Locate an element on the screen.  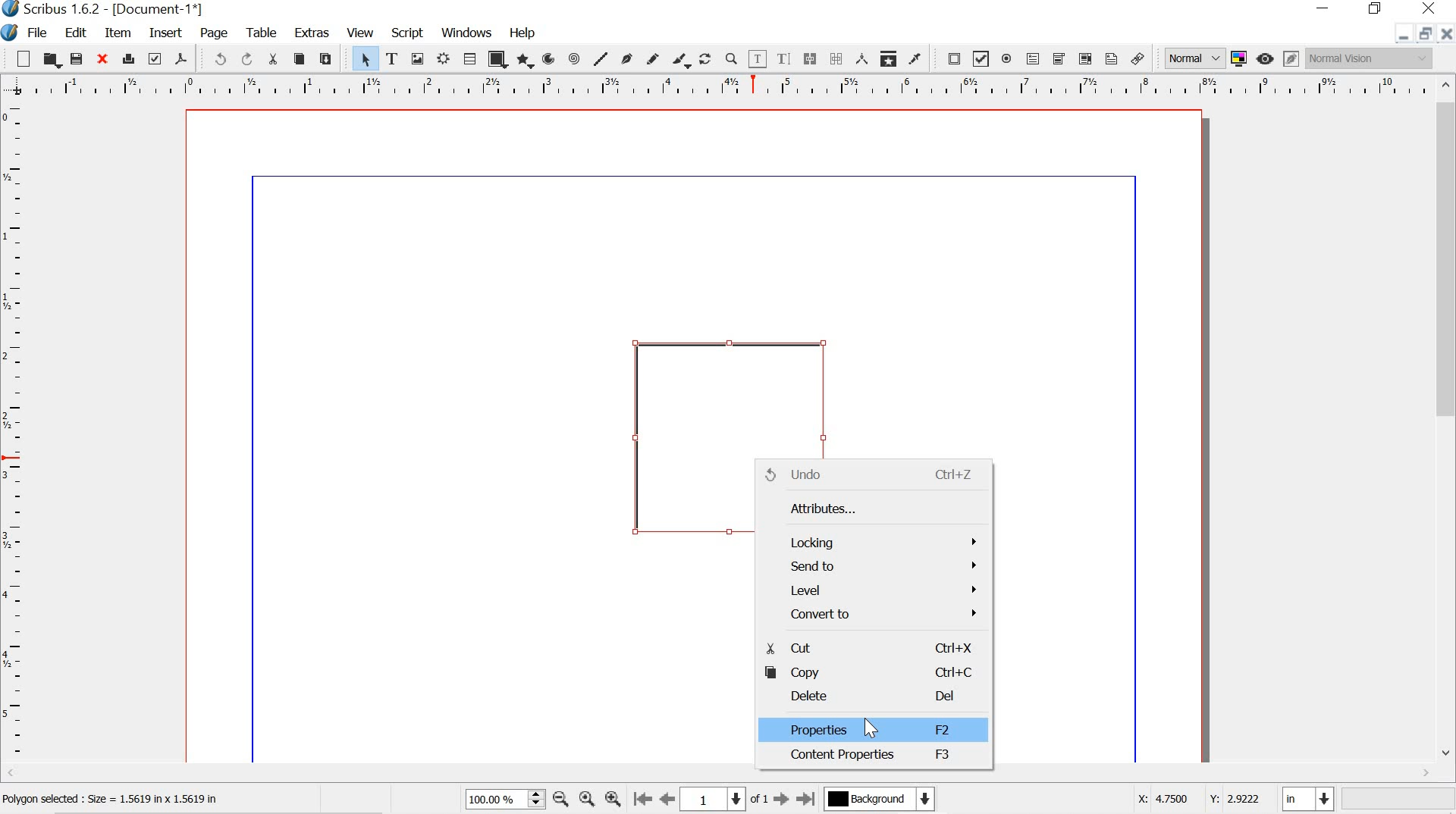
item is located at coordinates (118, 33).